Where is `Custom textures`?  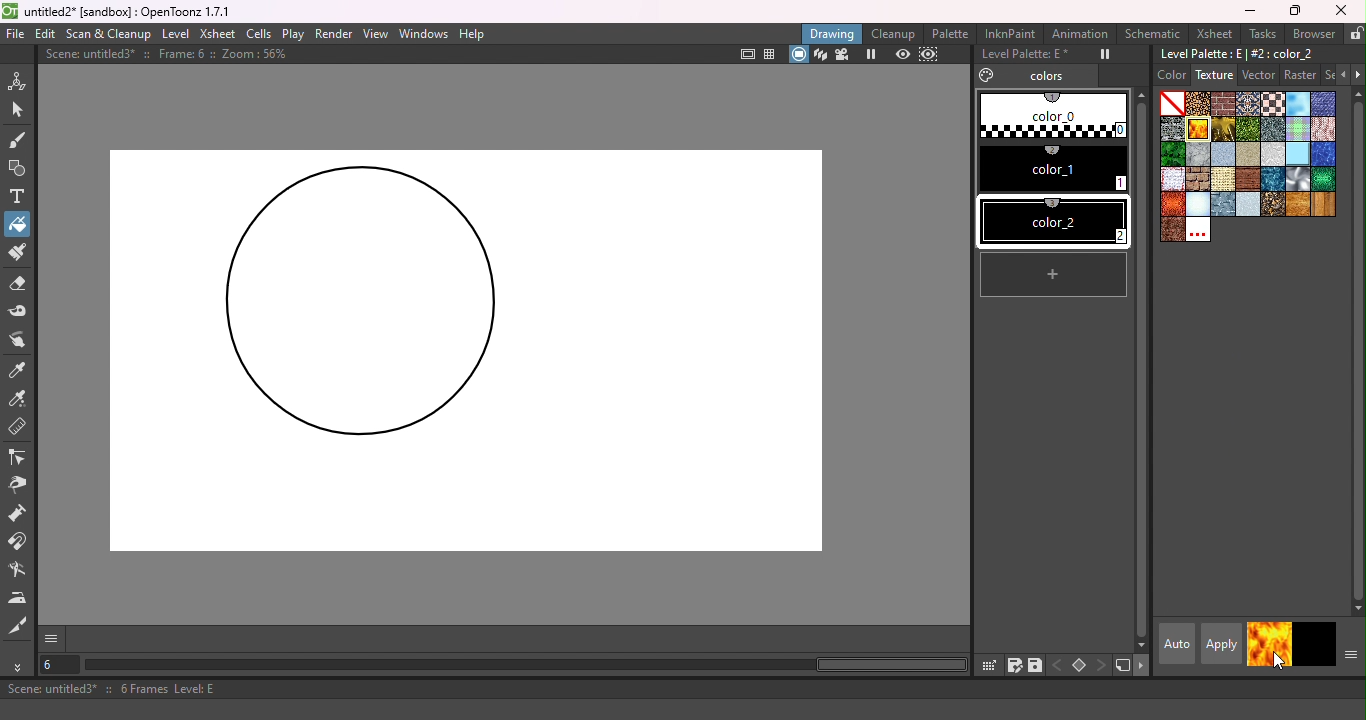
Custom textures is located at coordinates (1199, 231).